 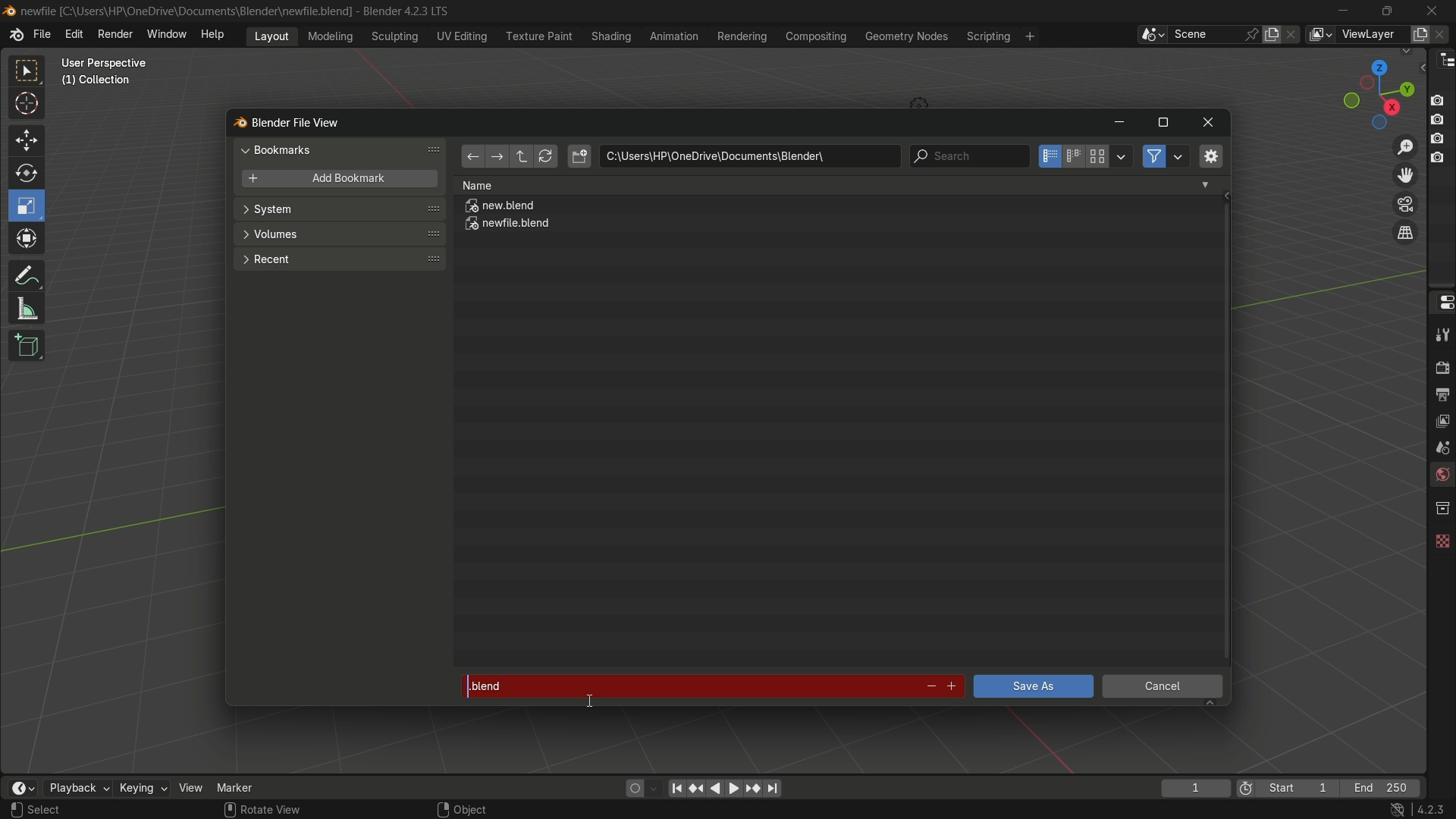 I want to click on modeling menu, so click(x=331, y=35).